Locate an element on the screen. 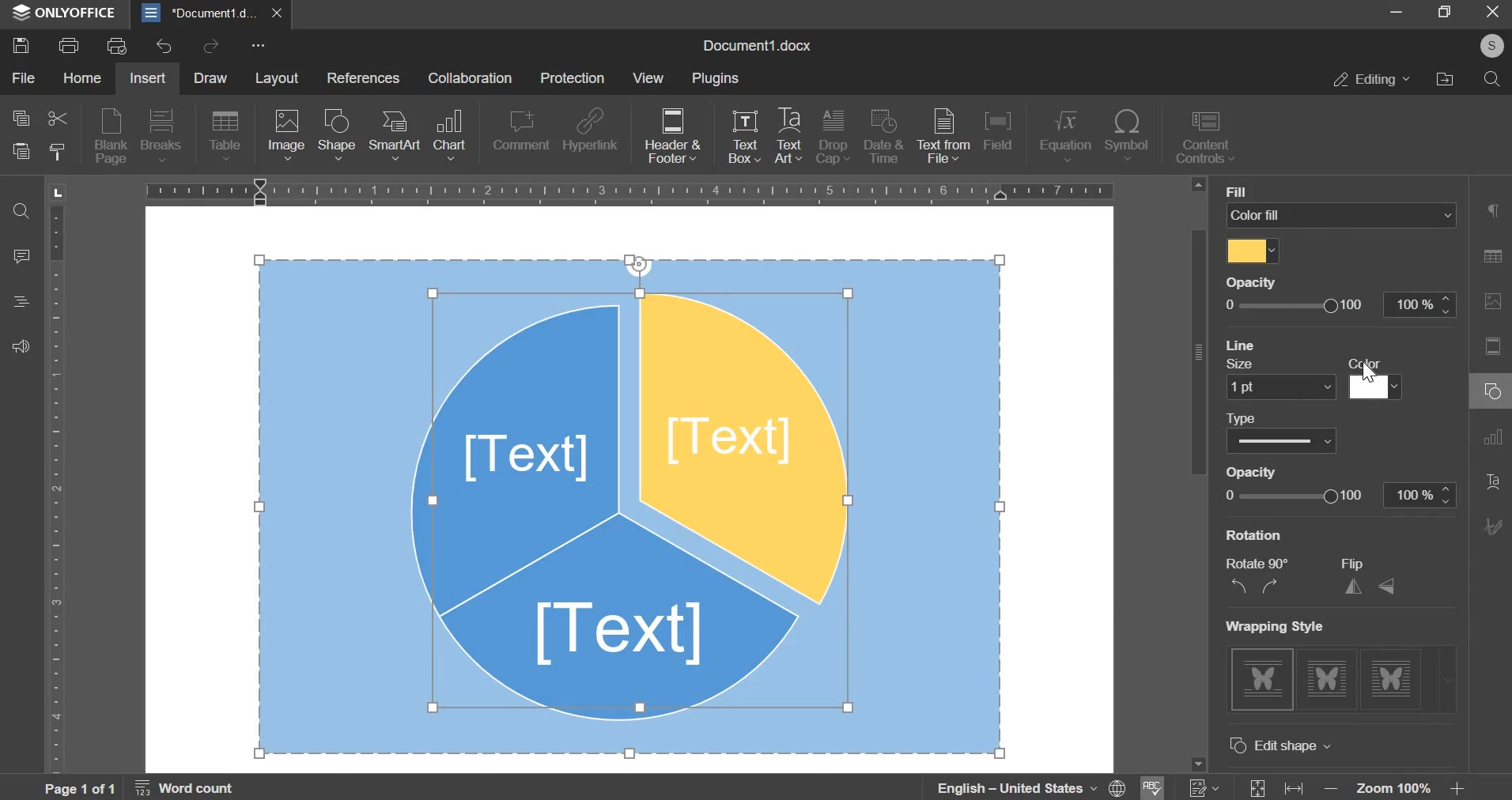 This screenshot has height=800, width=1512. table is located at coordinates (225, 137).